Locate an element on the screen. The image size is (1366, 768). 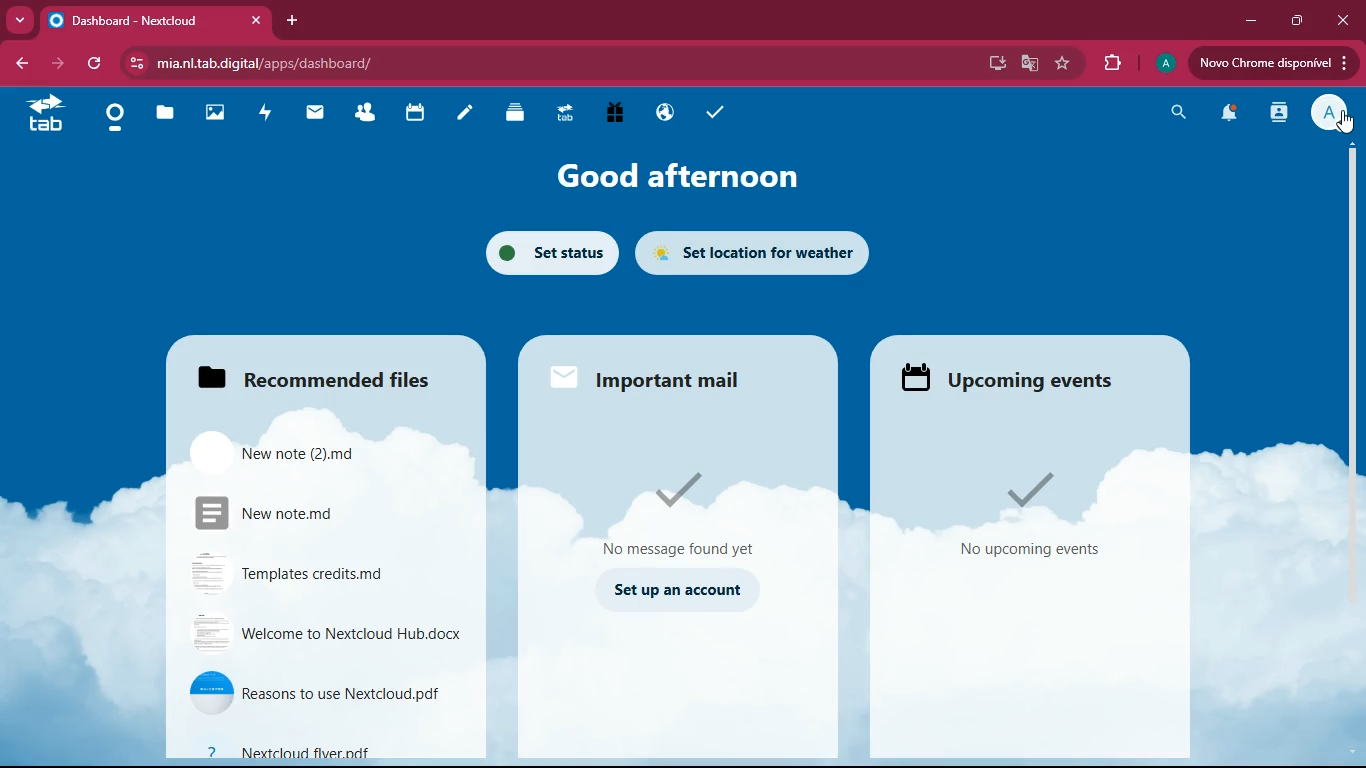
add tab is located at coordinates (290, 22).